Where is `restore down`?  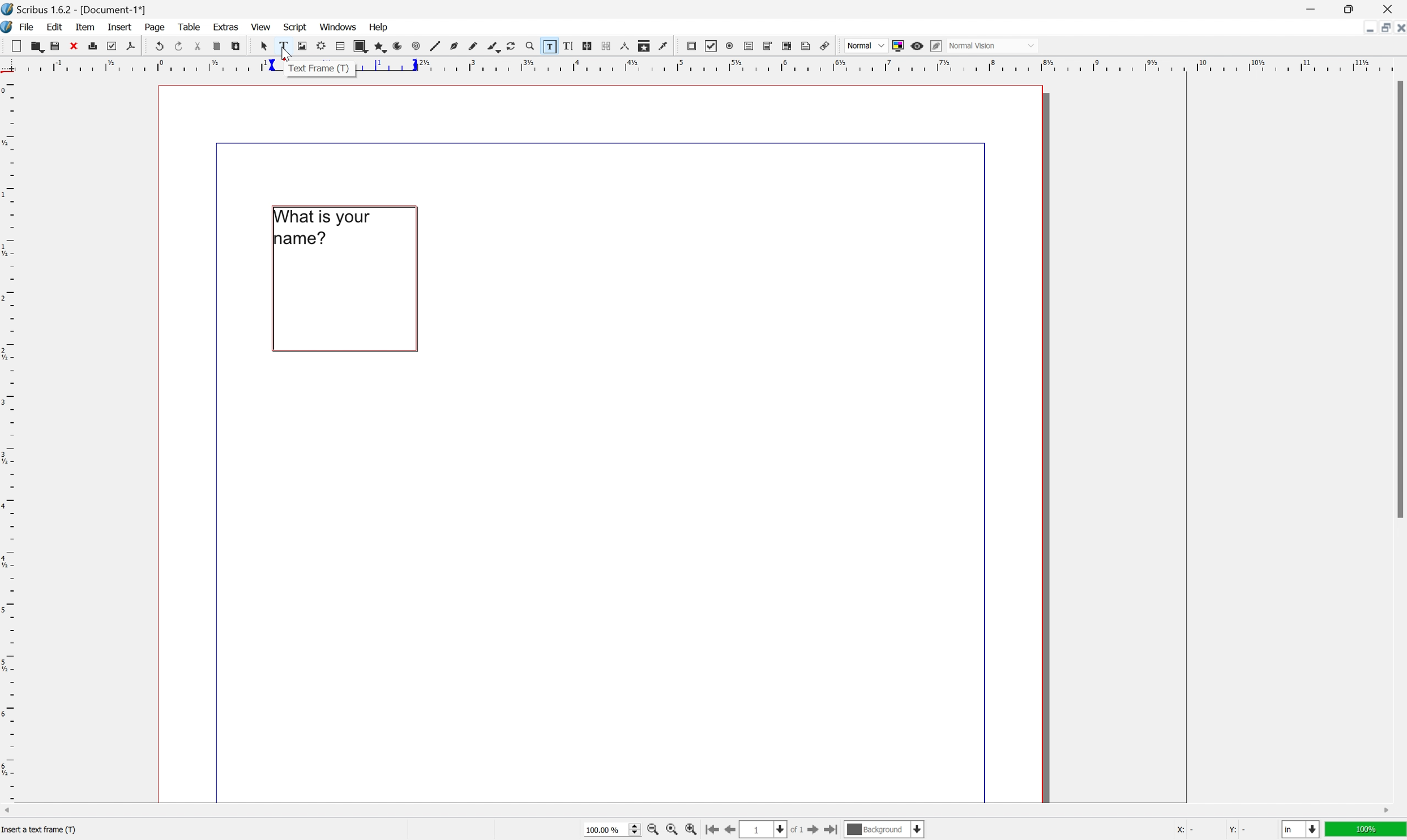
restore down is located at coordinates (1353, 8).